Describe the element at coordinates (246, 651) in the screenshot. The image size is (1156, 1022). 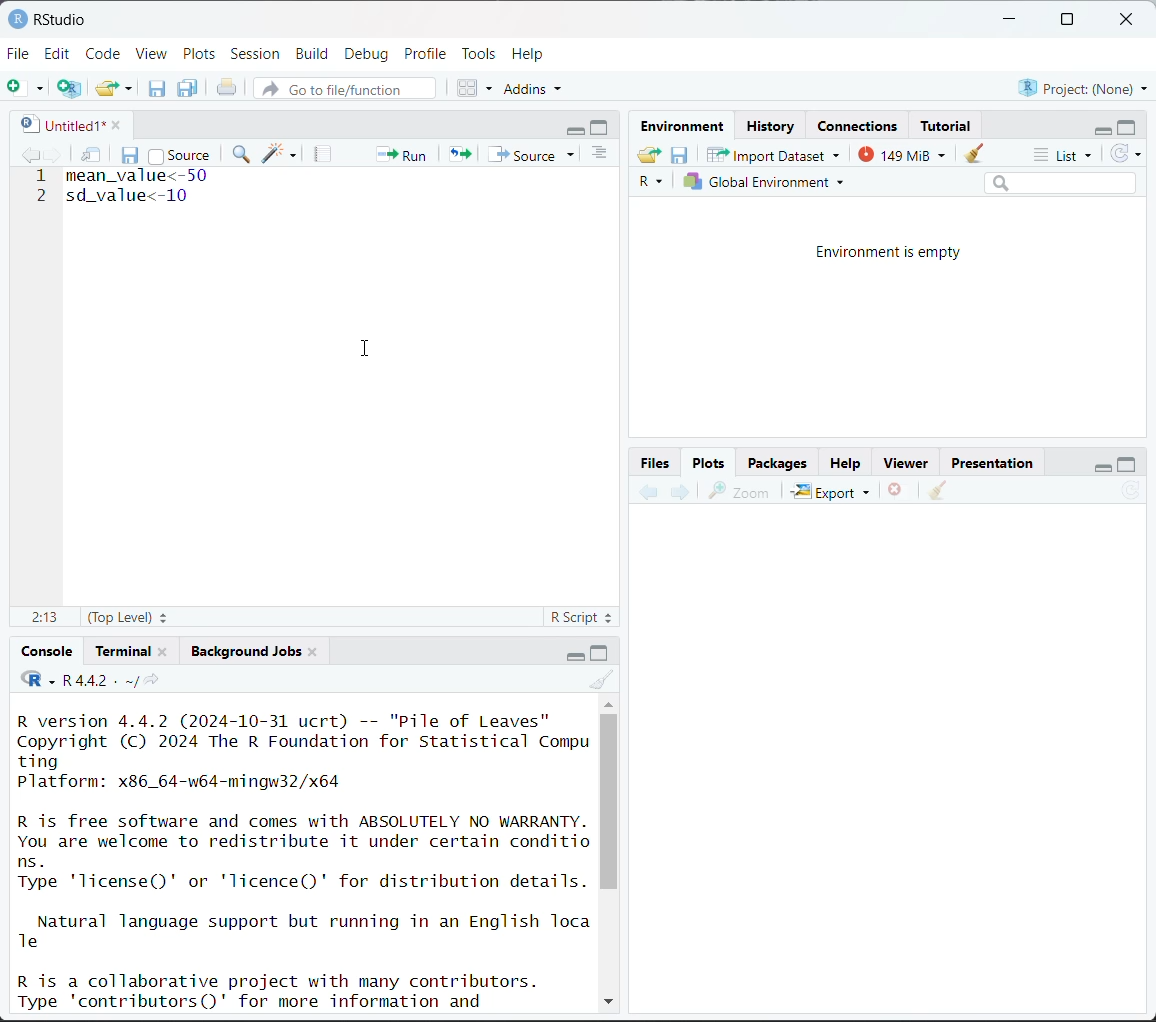
I see `Background jobs` at that location.